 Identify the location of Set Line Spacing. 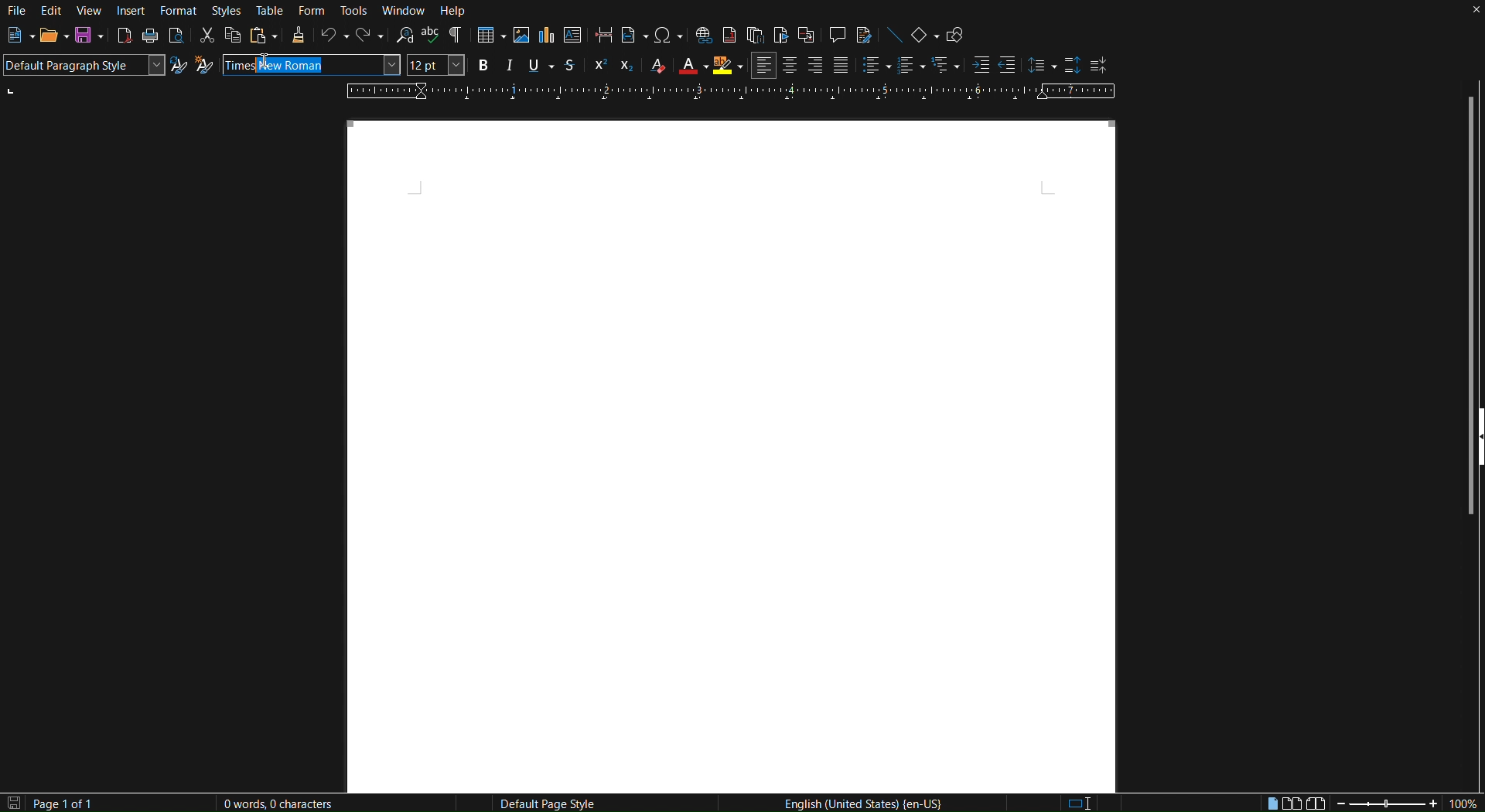
(1041, 67).